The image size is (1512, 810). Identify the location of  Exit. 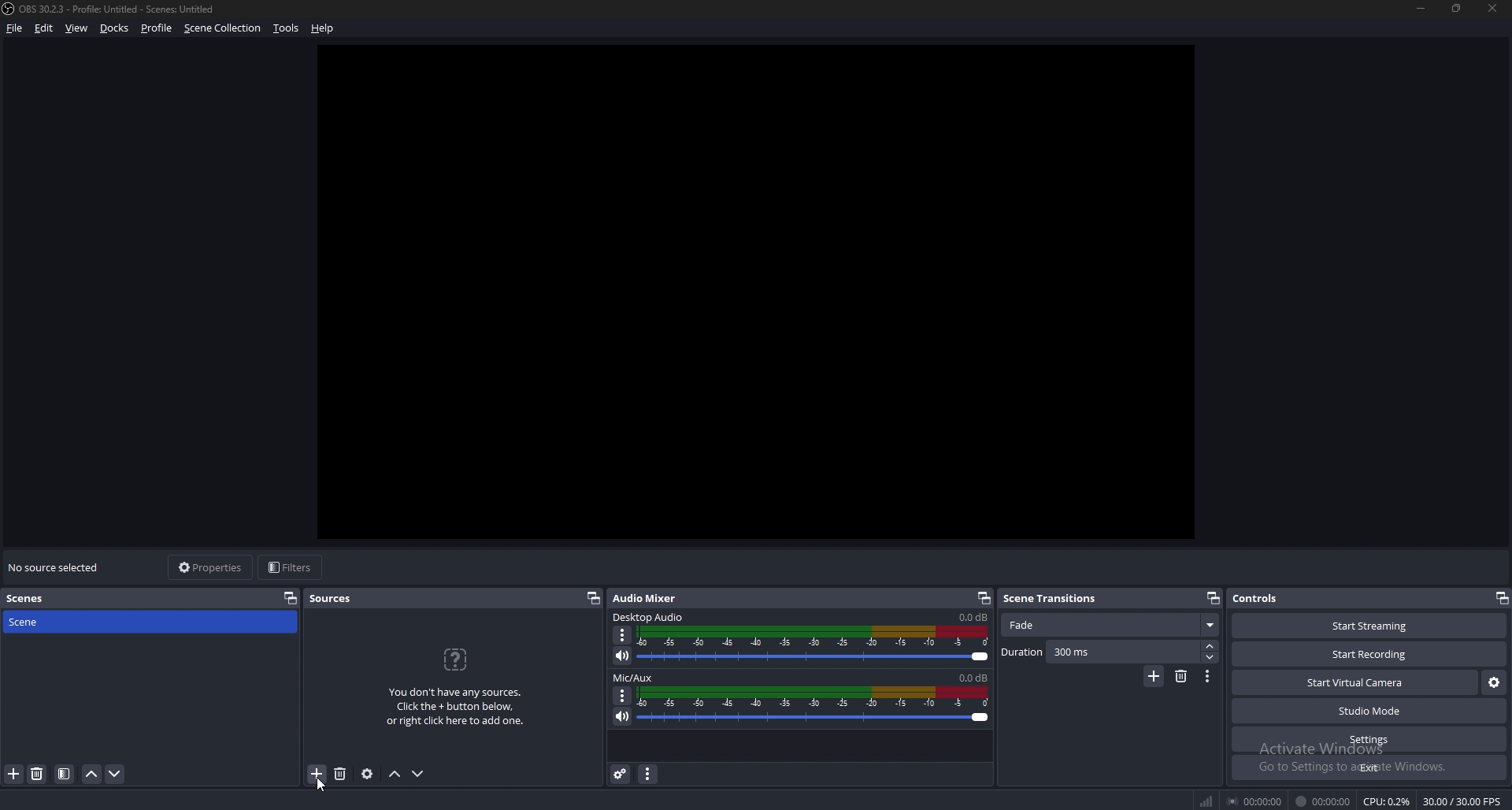
(1370, 767).